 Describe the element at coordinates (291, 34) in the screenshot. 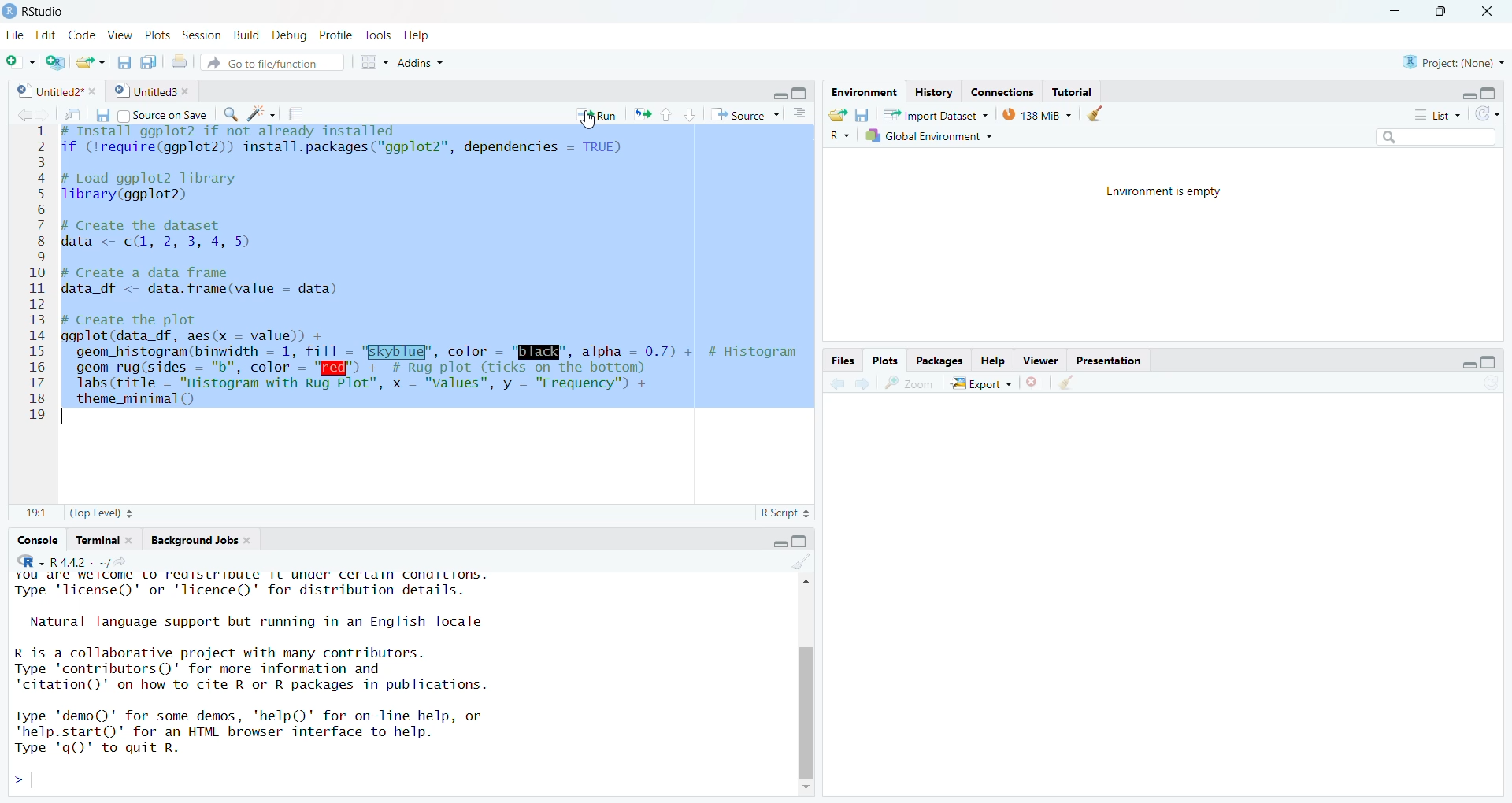

I see `Debug` at that location.